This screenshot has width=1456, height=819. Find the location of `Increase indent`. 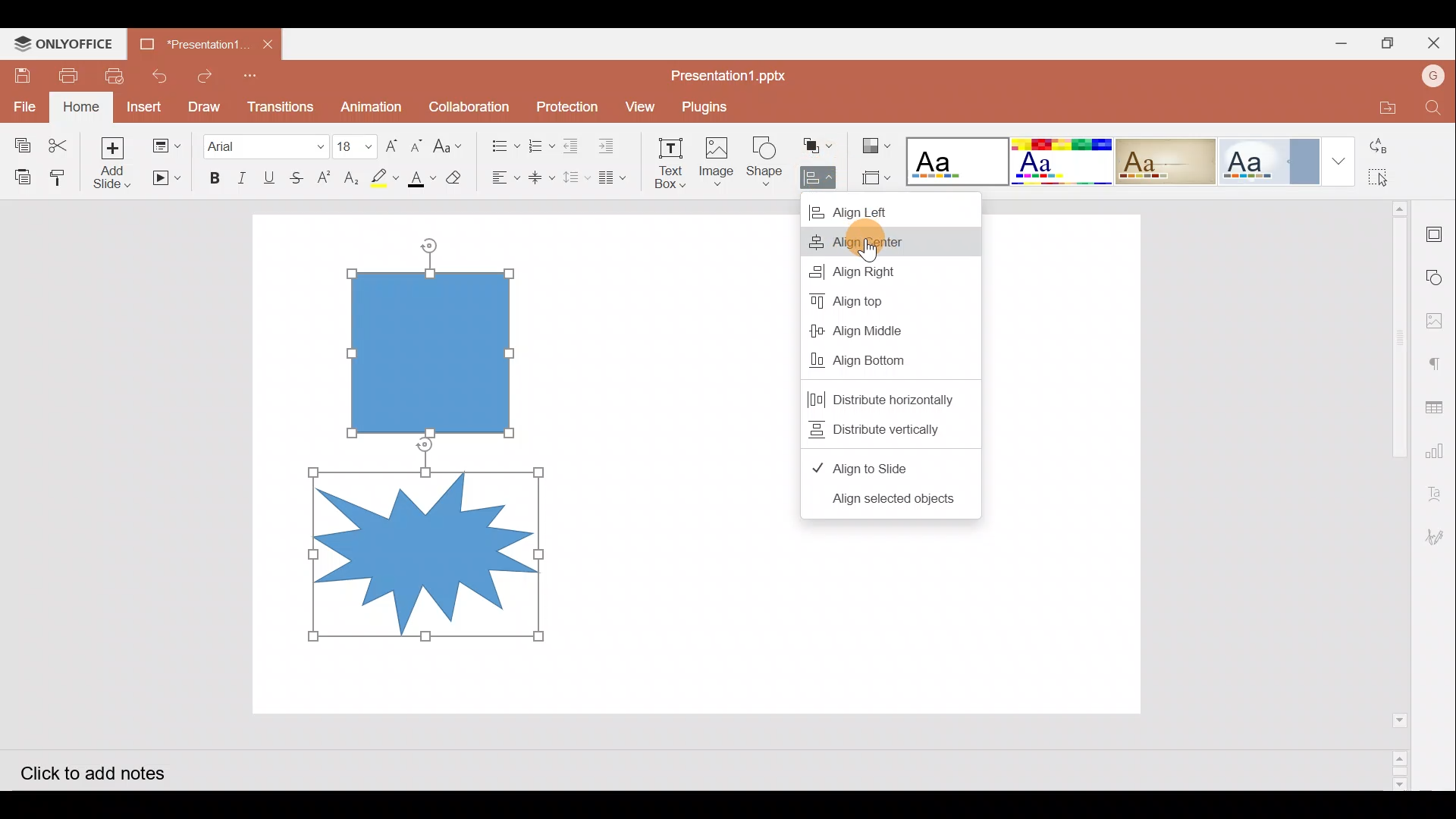

Increase indent is located at coordinates (611, 142).